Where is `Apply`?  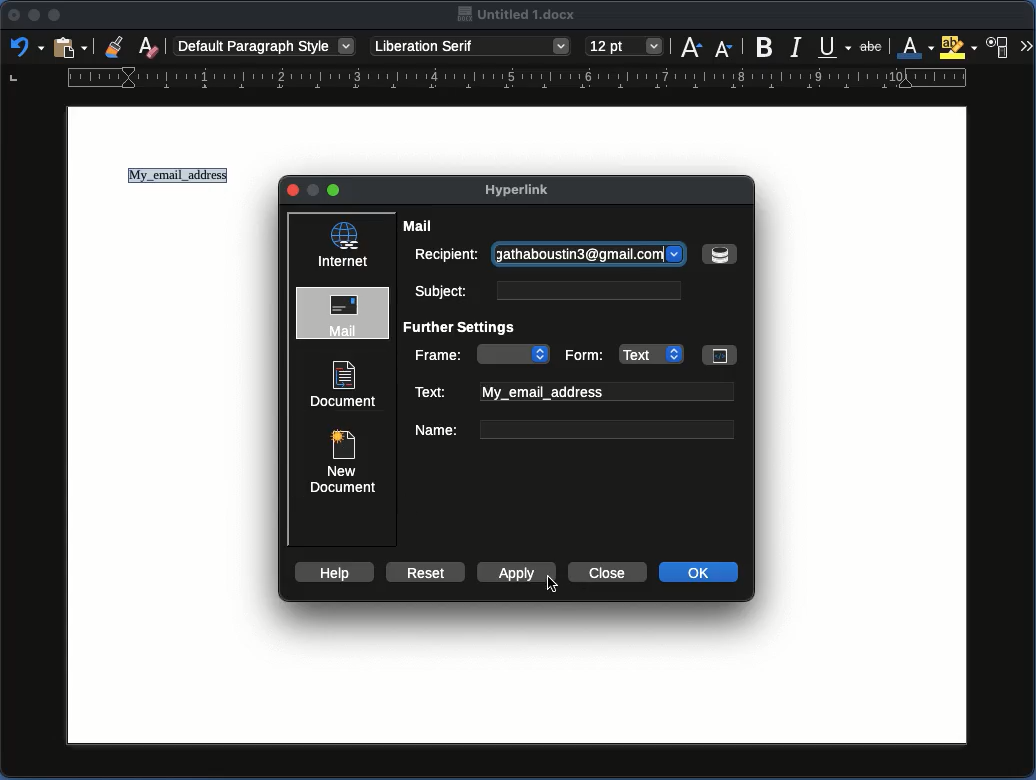 Apply is located at coordinates (518, 573).